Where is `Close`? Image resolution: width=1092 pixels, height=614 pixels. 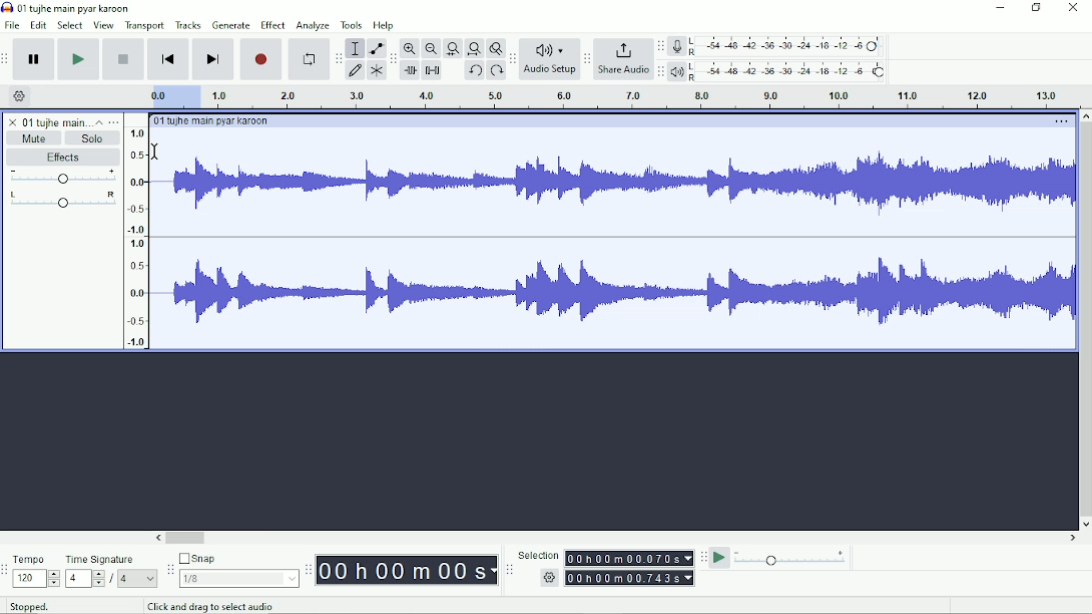 Close is located at coordinates (1072, 9).